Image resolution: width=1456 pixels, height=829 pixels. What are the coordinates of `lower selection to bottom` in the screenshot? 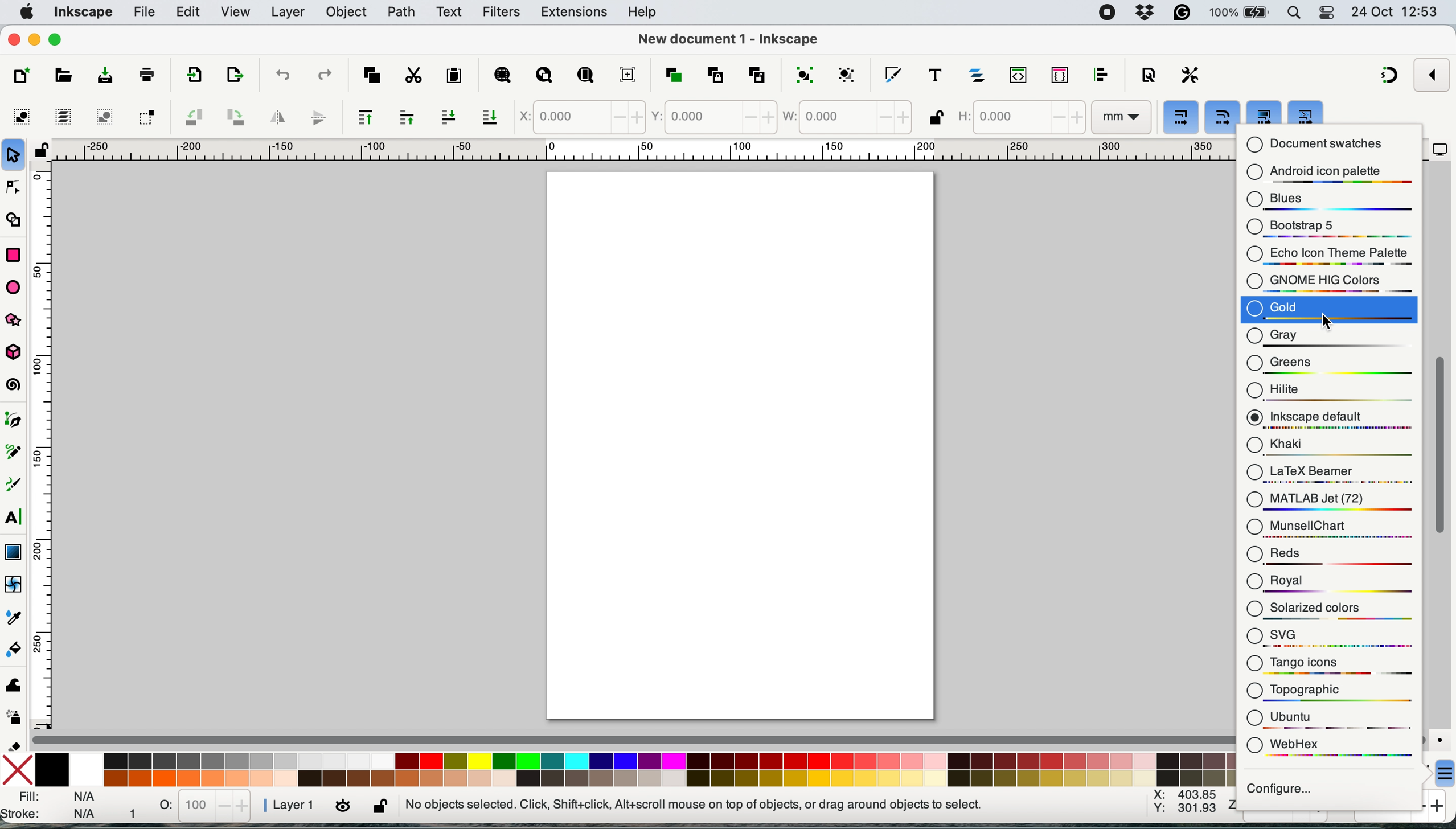 It's located at (490, 117).